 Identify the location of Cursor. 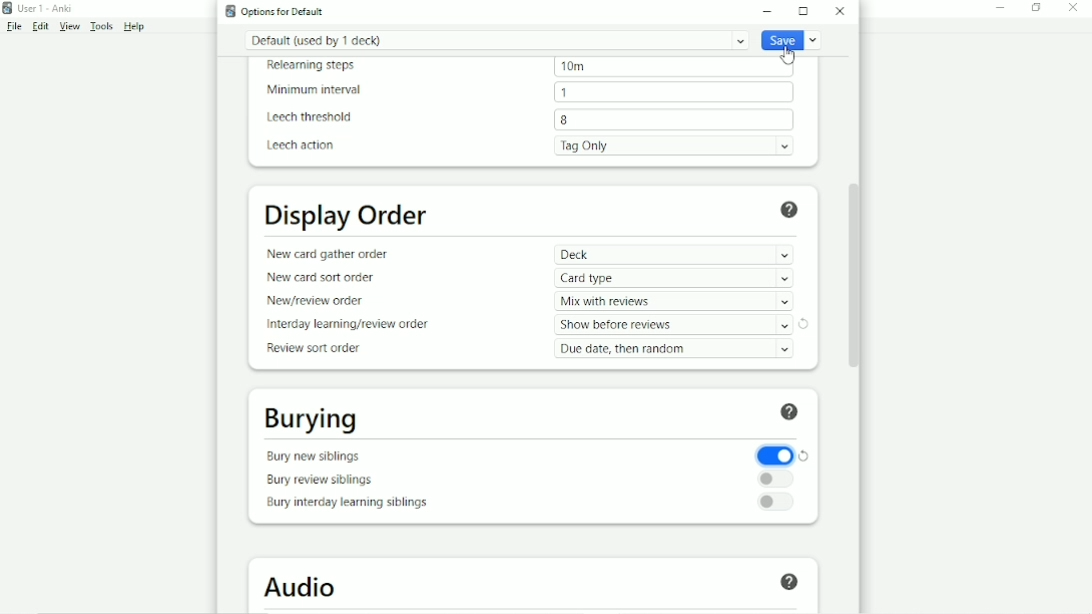
(787, 54).